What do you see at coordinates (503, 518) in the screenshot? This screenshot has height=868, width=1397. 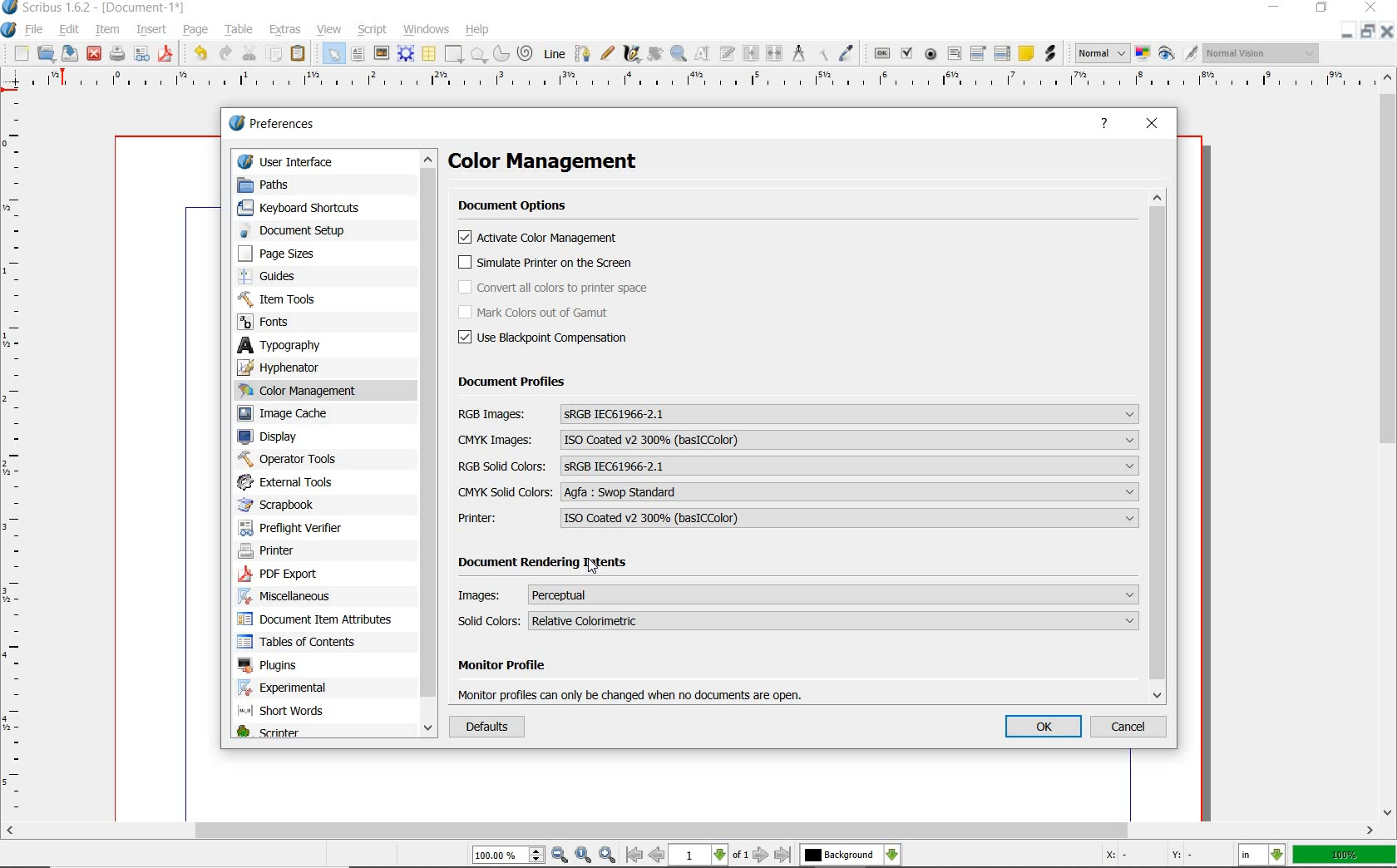 I see `PRINTER` at bounding box center [503, 518].